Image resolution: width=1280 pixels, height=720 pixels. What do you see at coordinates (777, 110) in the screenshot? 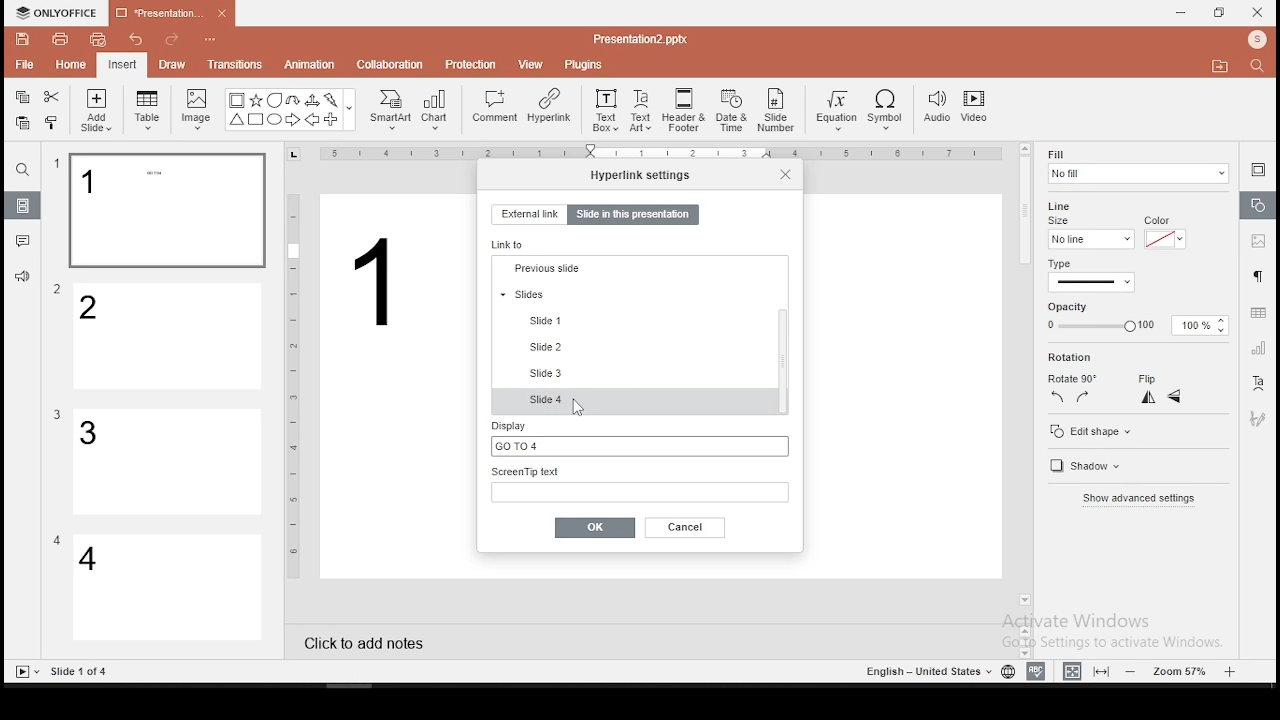
I see `slide number` at bounding box center [777, 110].